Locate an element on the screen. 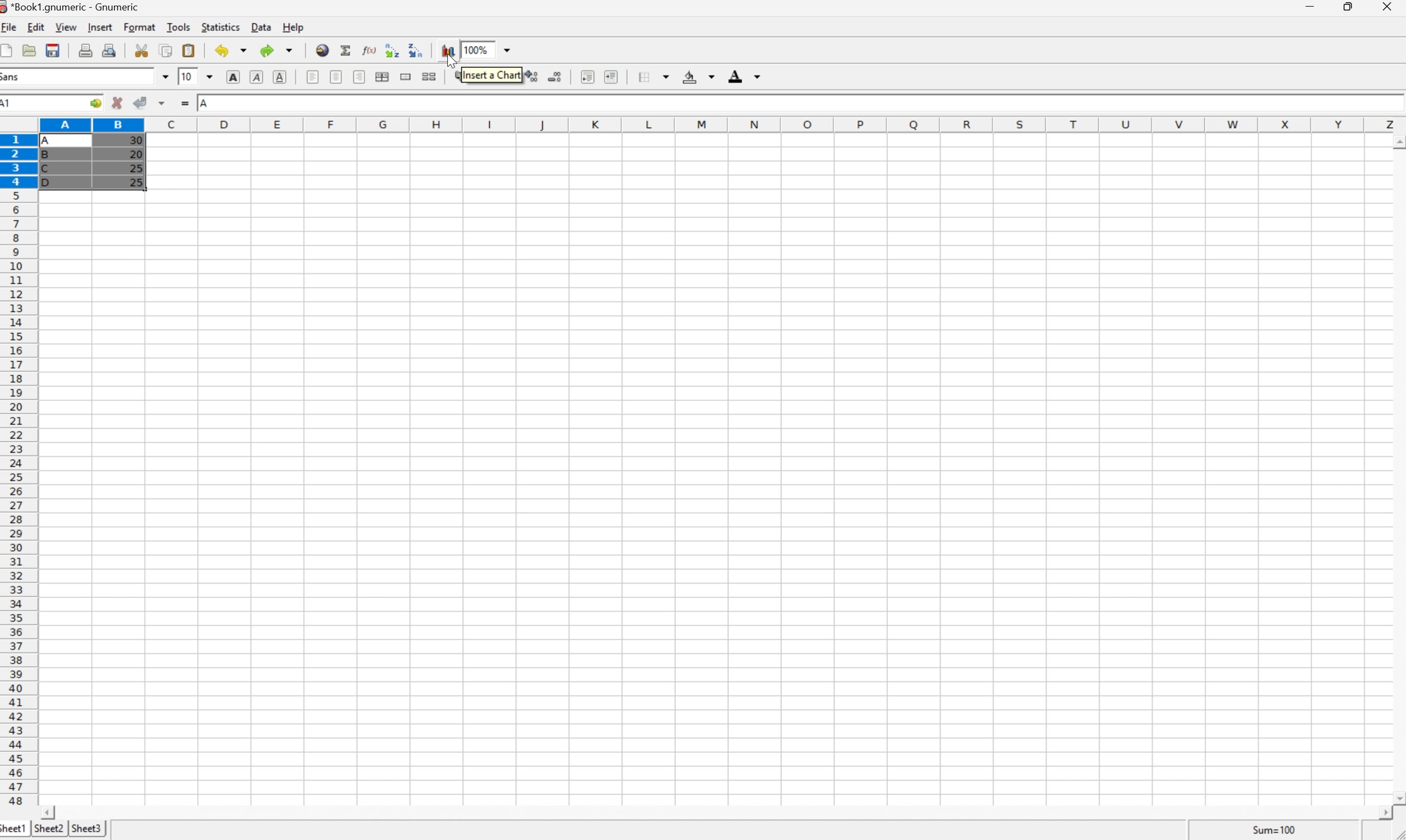 The image size is (1406, 840). Redo is located at coordinates (275, 49).